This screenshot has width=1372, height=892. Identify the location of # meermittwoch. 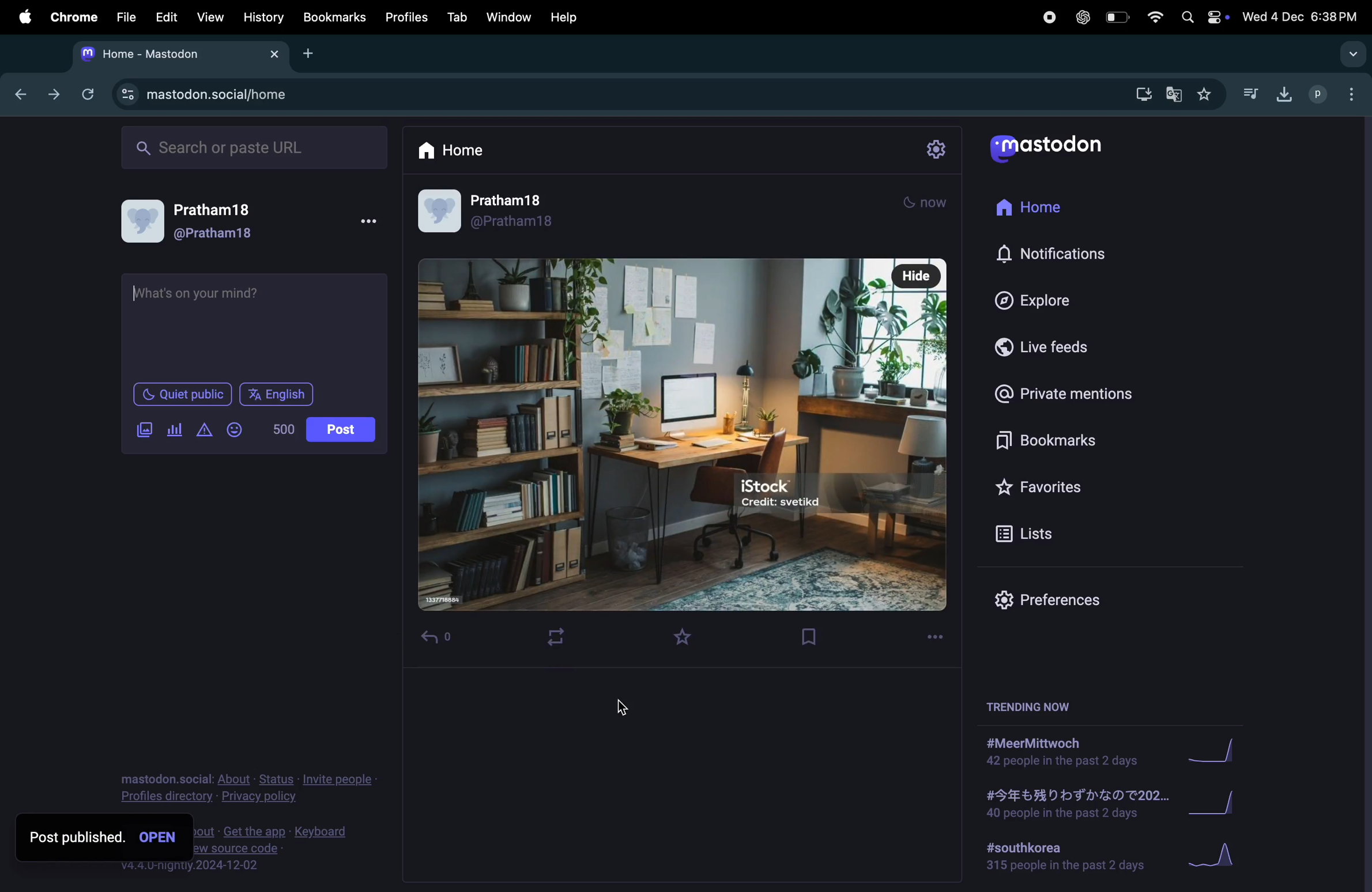
(1061, 752).